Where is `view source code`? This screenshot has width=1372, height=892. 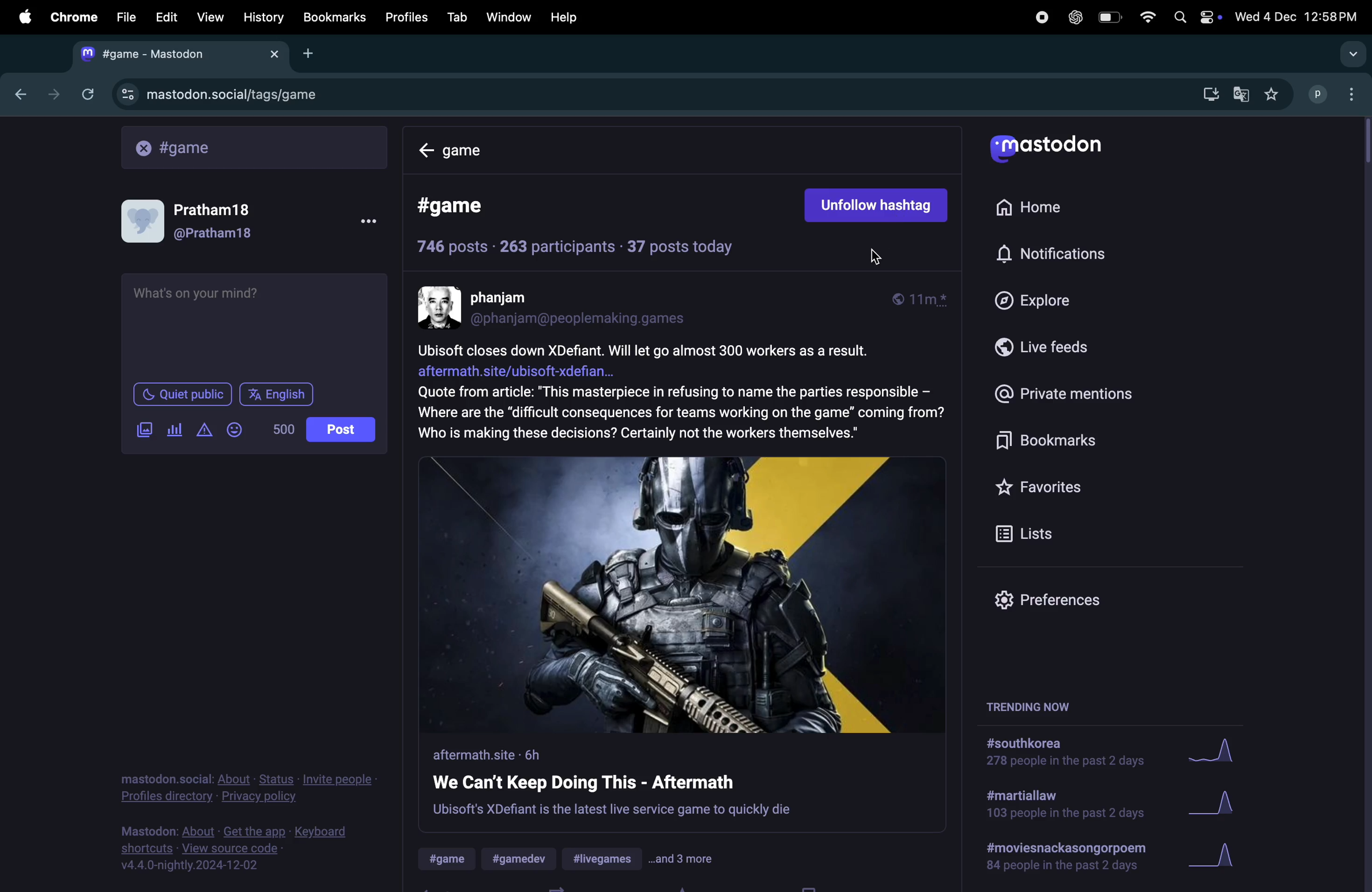
view source code is located at coordinates (240, 849).